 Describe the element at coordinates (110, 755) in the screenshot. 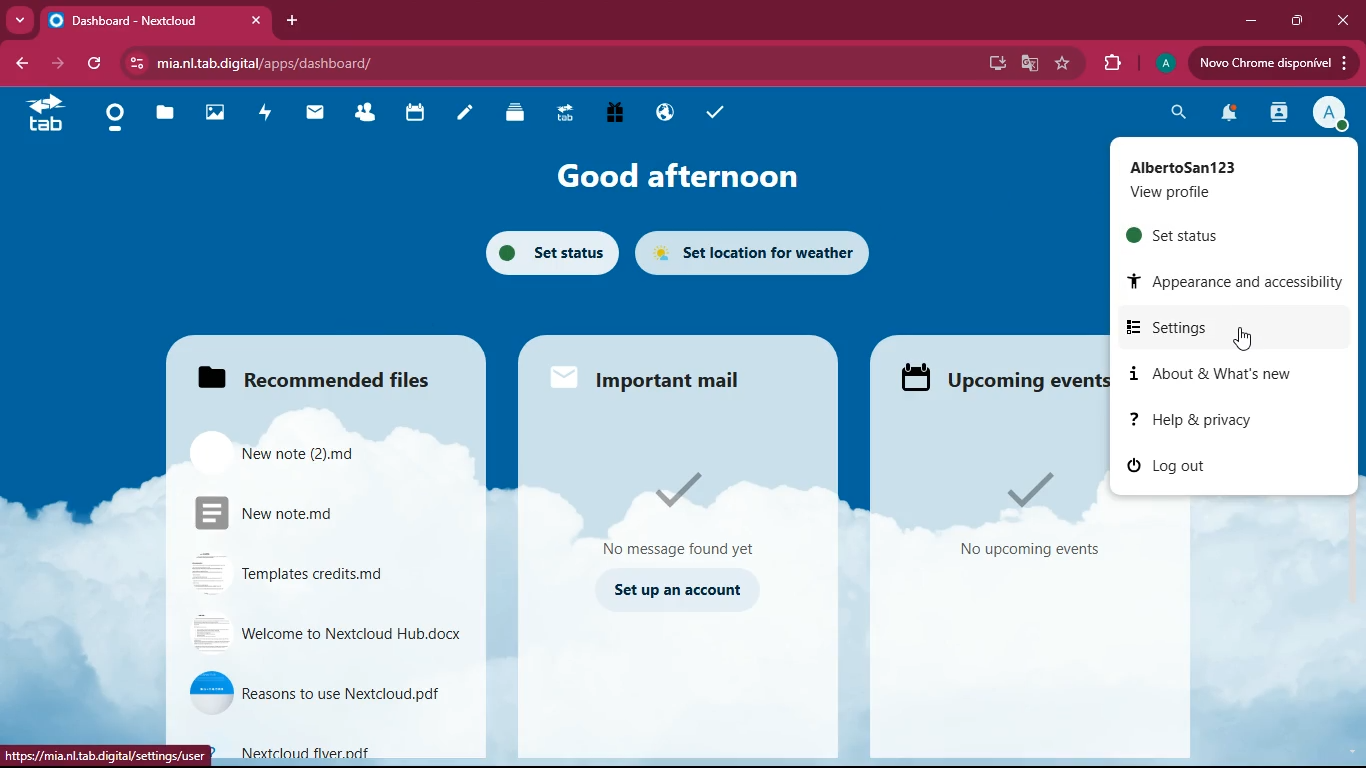

I see `url` at that location.